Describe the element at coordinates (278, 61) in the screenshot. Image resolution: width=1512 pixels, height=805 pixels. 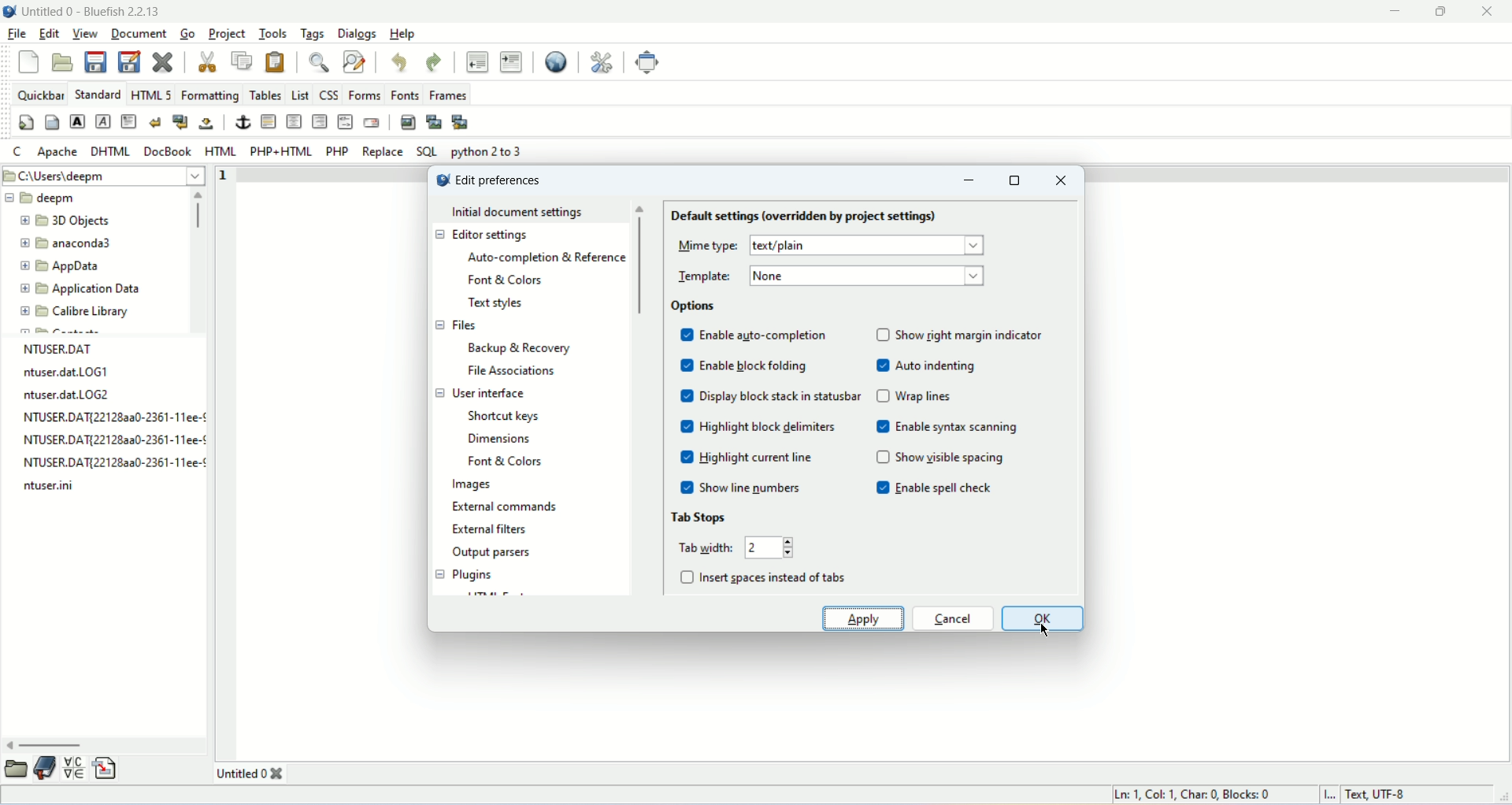
I see `paste` at that location.